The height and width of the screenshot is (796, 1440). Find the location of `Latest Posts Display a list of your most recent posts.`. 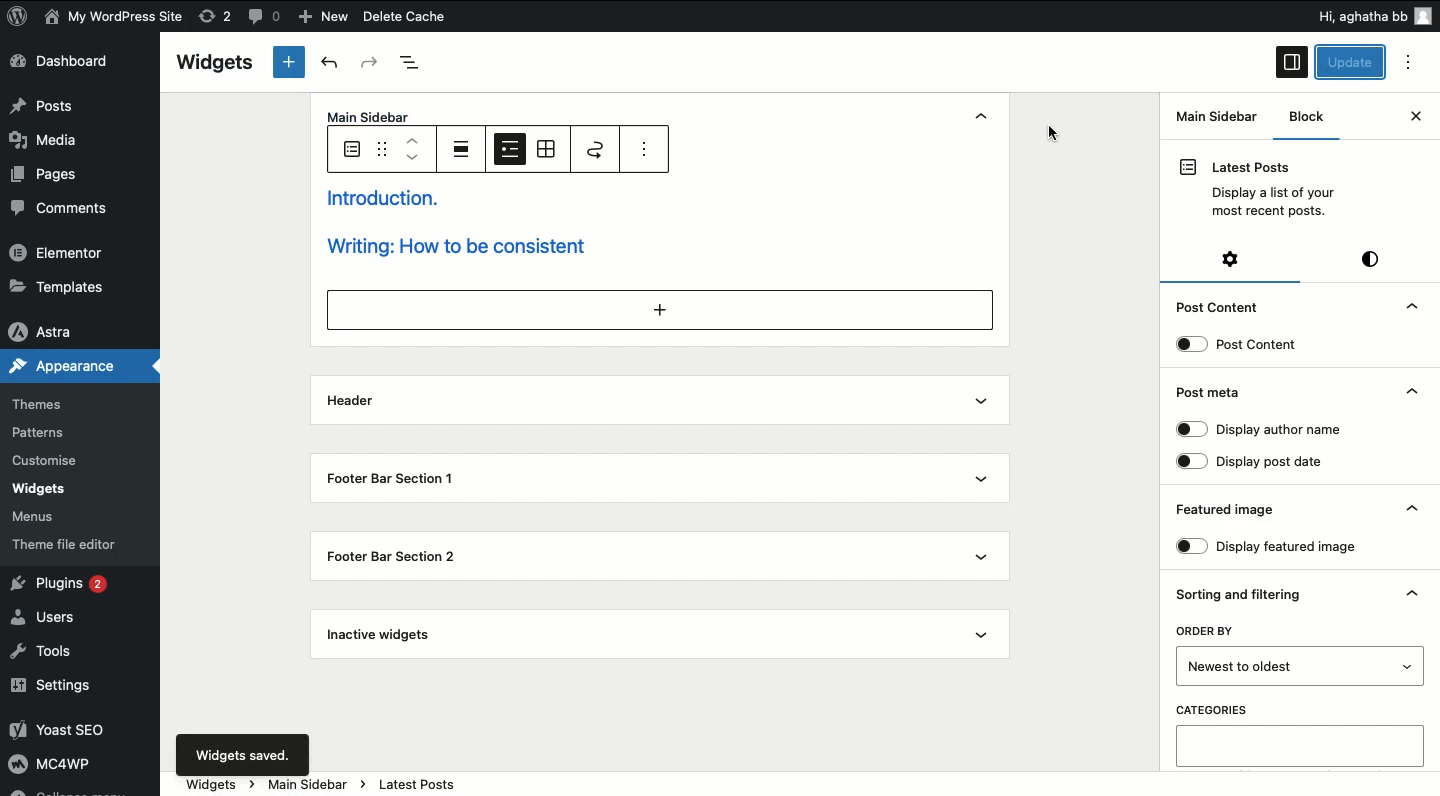

Latest Posts Display a list of your most recent posts. is located at coordinates (1256, 186).